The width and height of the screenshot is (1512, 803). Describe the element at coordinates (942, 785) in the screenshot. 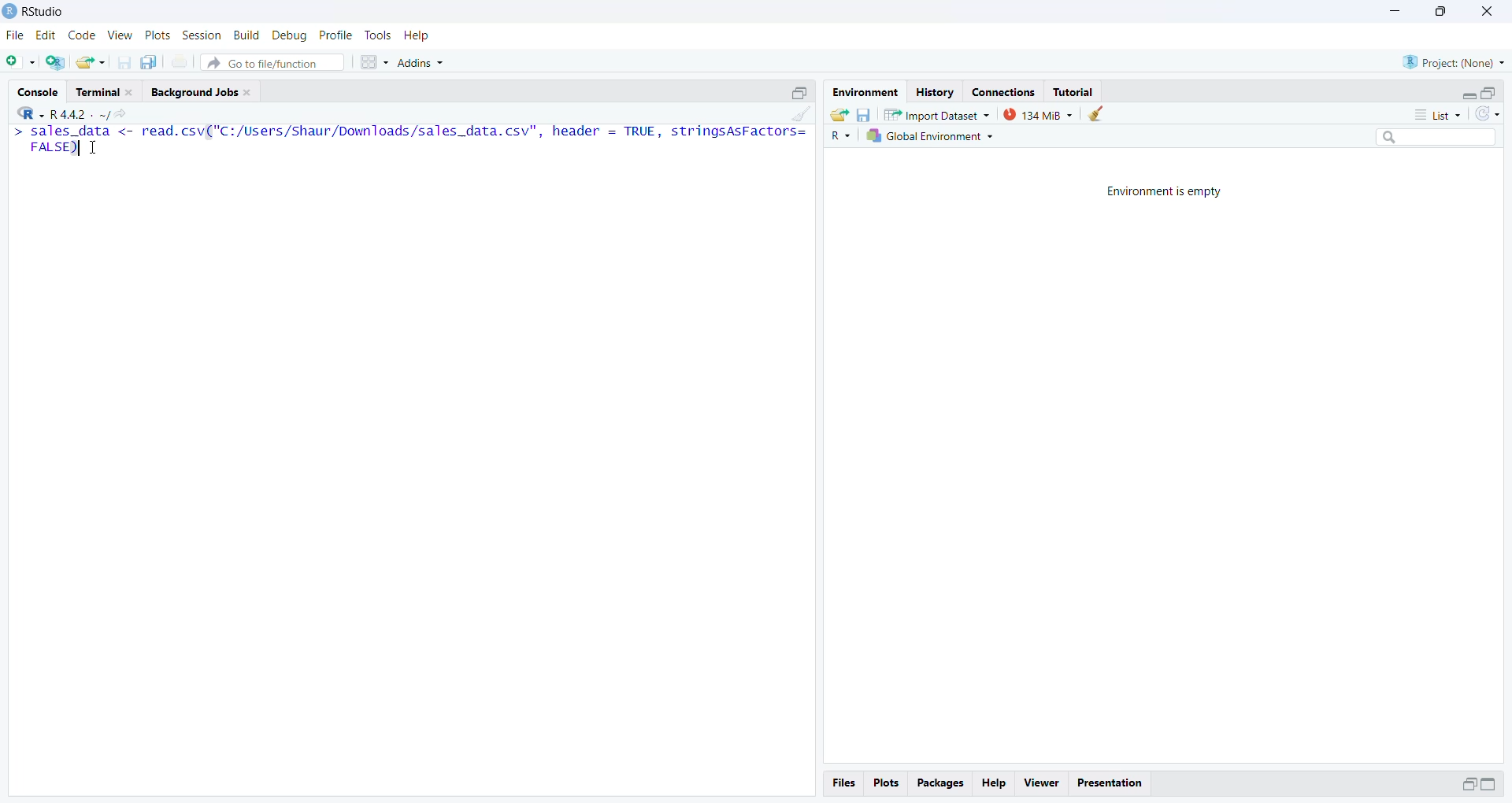

I see `Packages` at that location.